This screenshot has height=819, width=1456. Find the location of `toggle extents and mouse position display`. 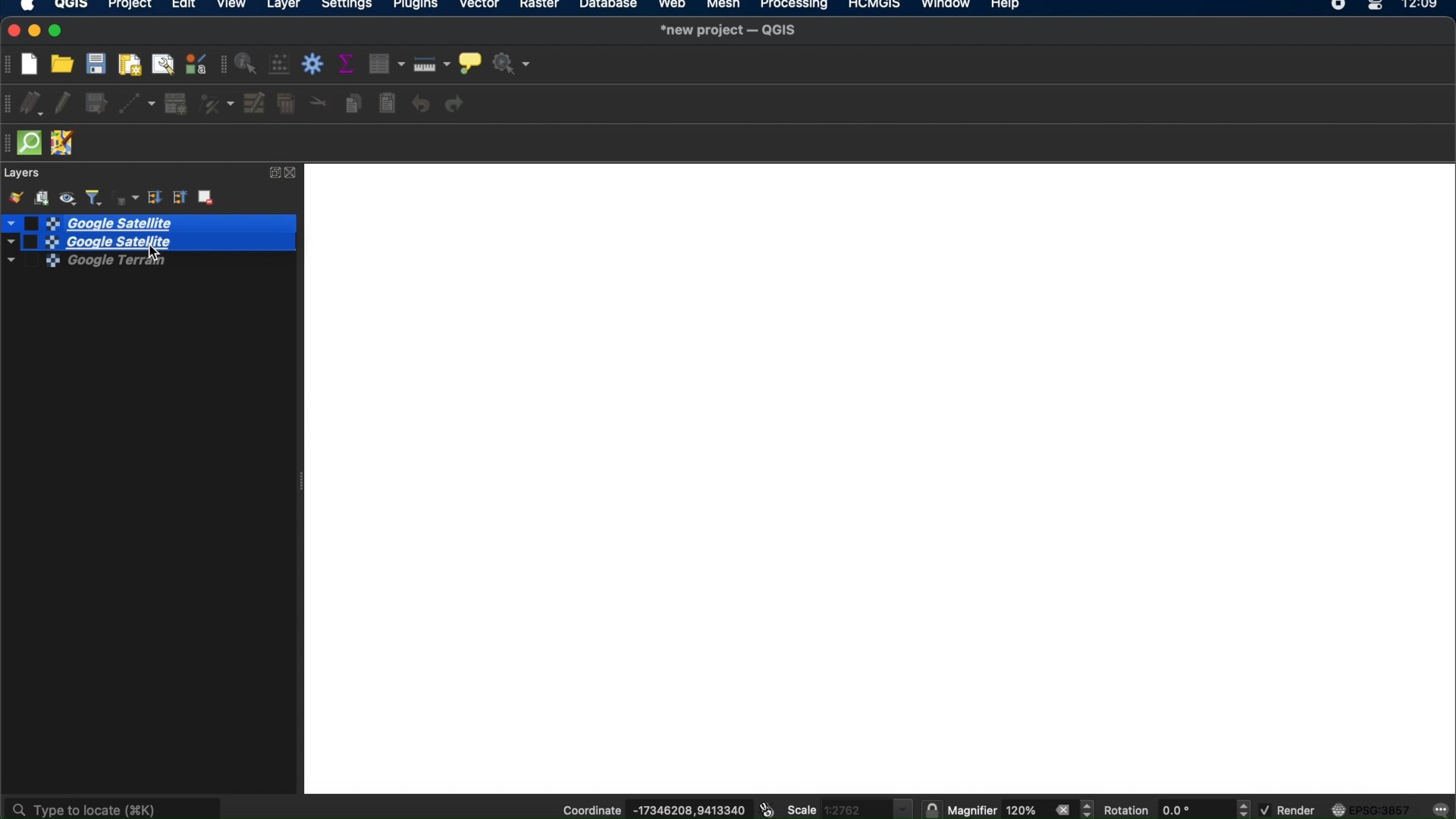

toggle extents and mouse position display is located at coordinates (765, 810).